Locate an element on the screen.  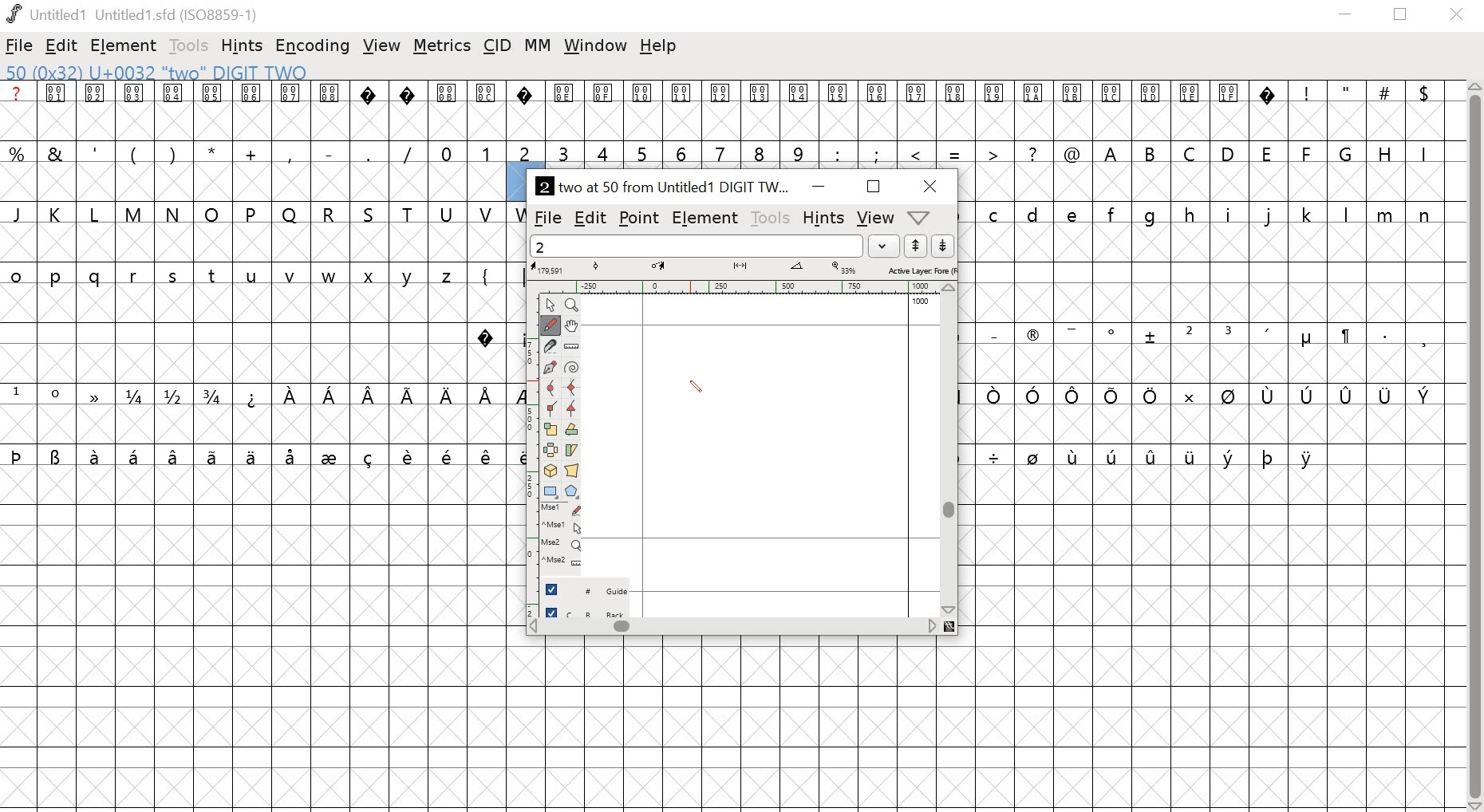
edit is located at coordinates (590, 219).